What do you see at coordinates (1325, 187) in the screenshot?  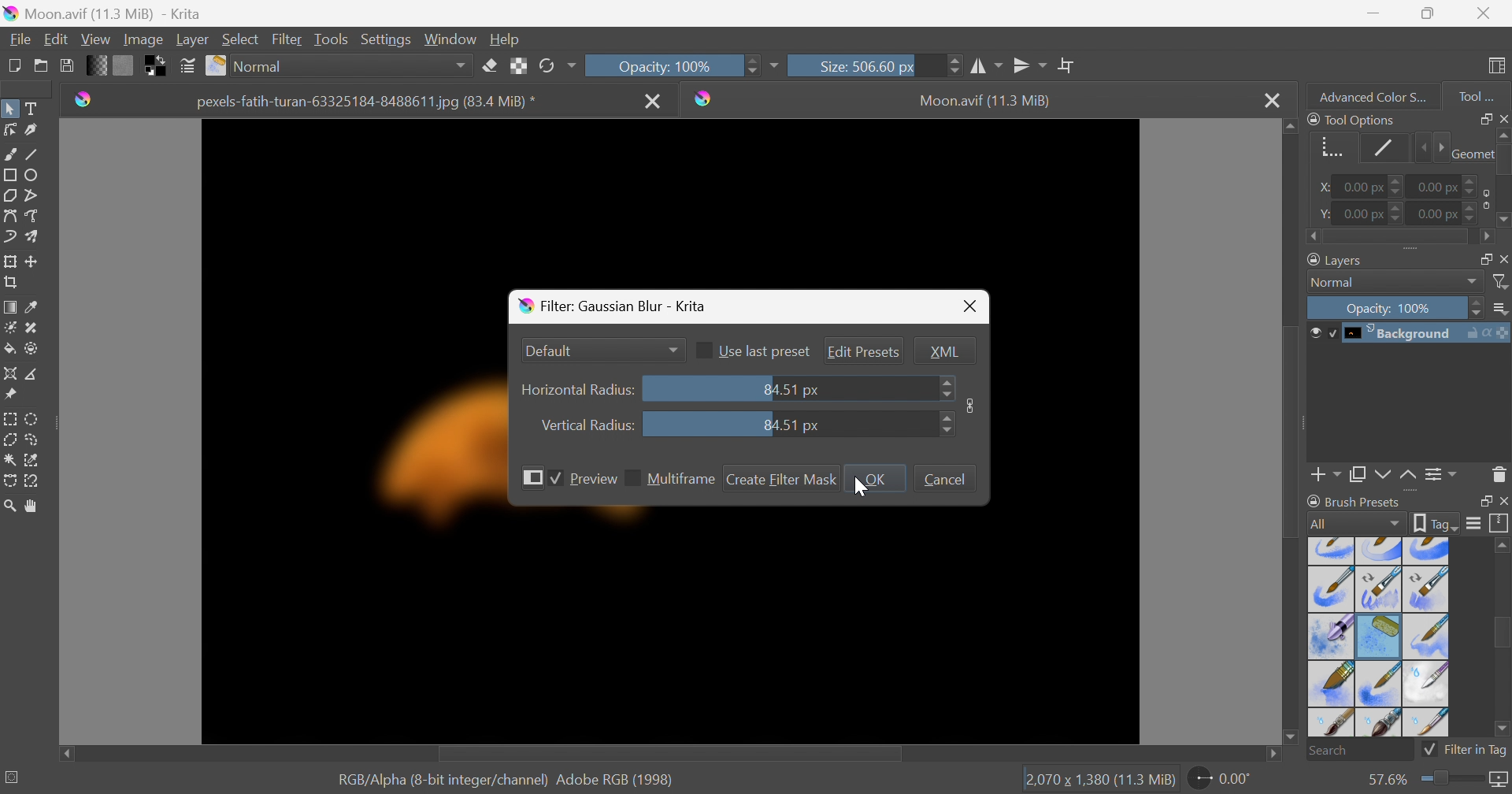 I see `x:` at bounding box center [1325, 187].